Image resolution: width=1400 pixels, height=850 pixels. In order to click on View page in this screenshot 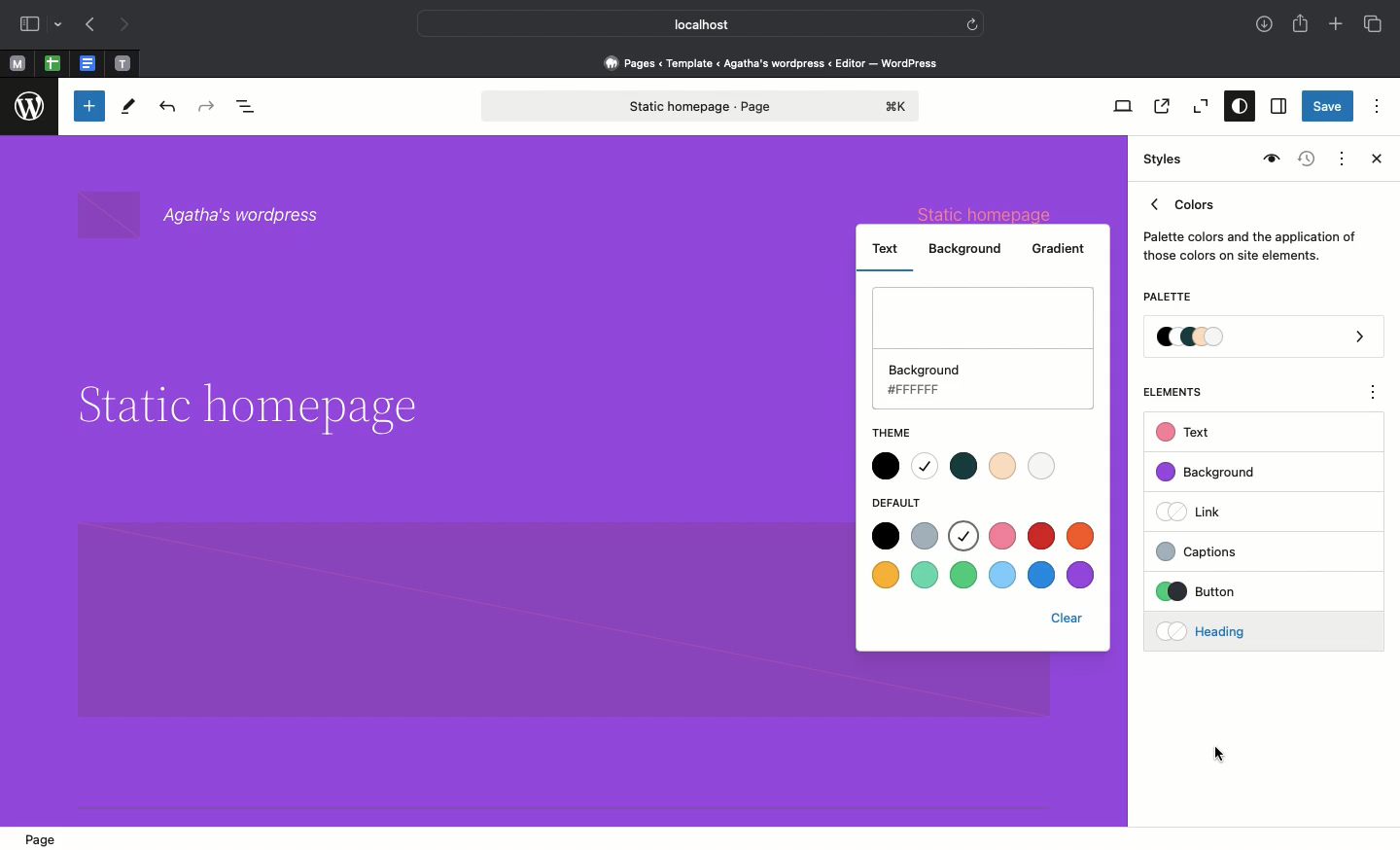, I will do `click(1160, 106)`.